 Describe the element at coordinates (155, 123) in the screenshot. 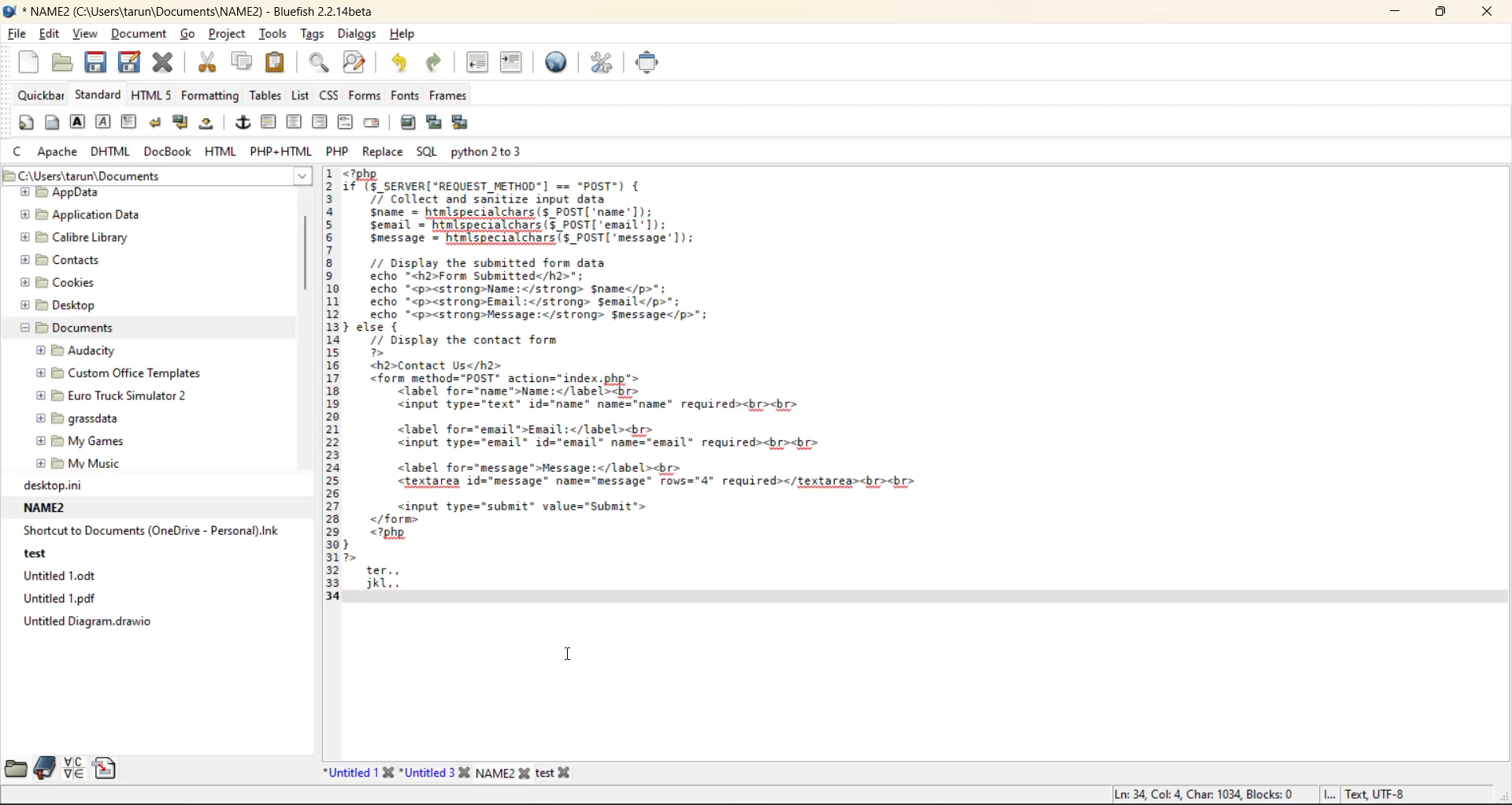

I see `break ` at that location.